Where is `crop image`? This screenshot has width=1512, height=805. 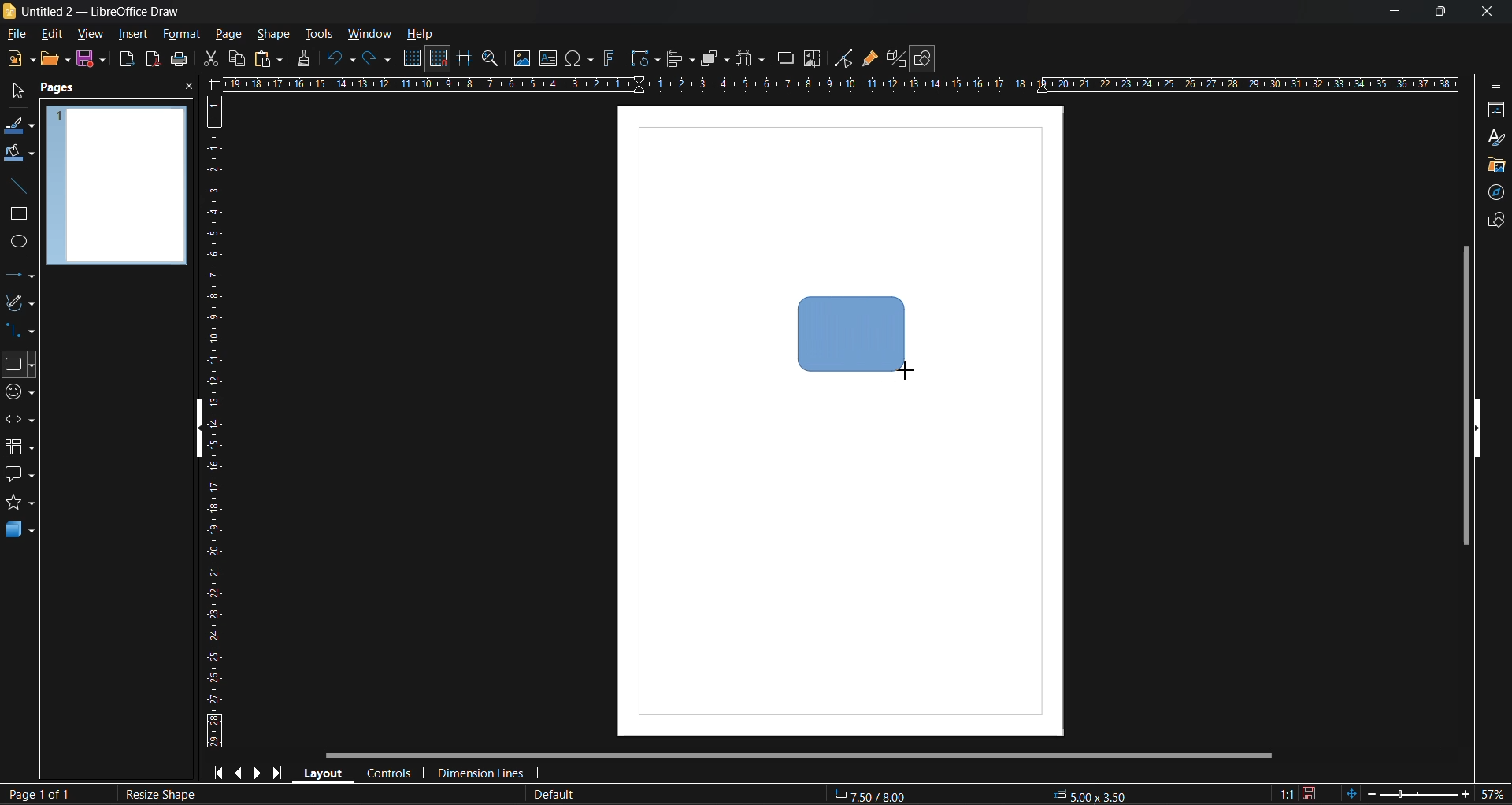 crop image is located at coordinates (813, 59).